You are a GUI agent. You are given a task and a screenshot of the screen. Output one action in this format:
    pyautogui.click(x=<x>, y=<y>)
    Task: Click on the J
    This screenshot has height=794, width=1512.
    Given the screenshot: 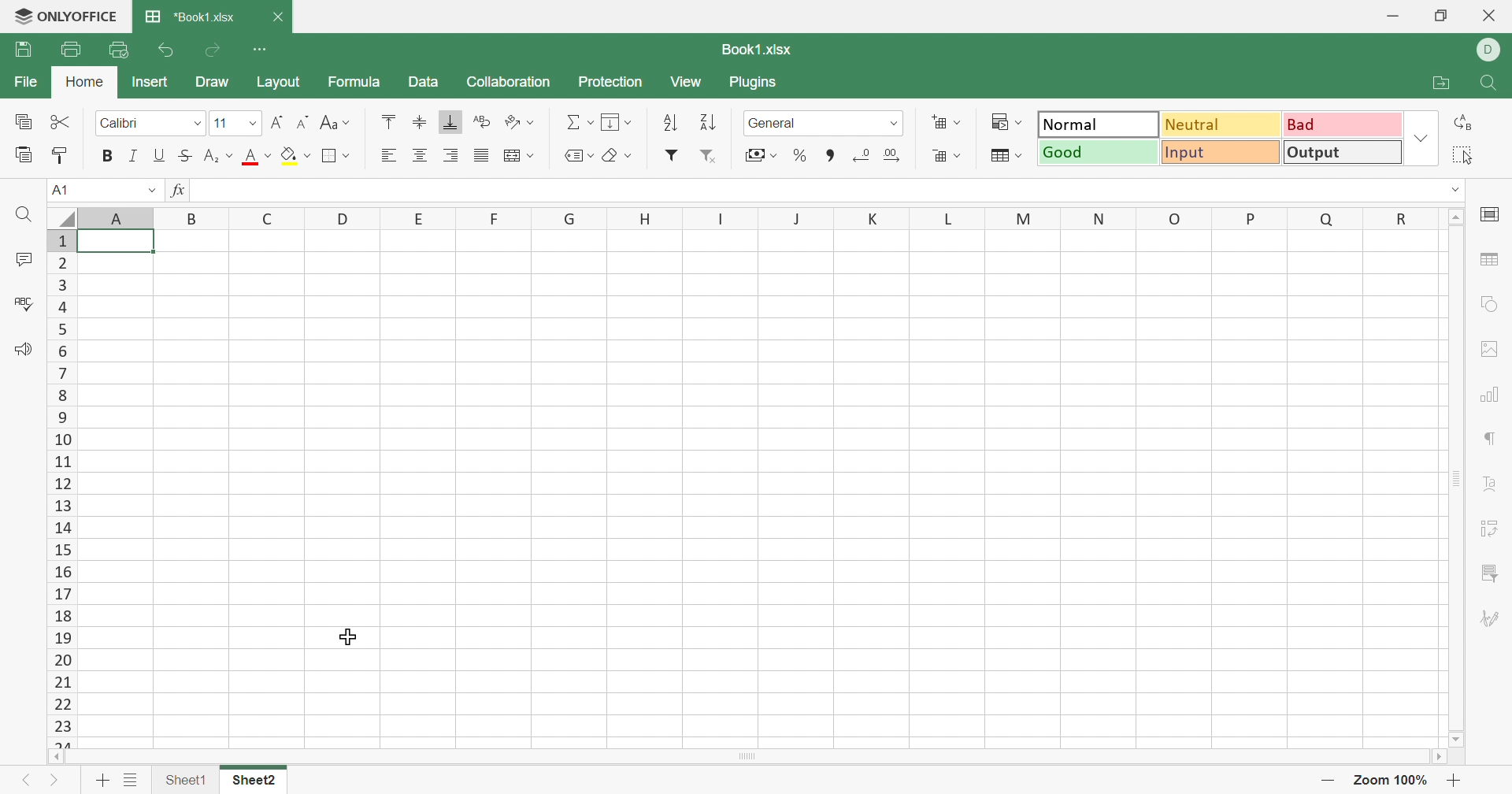 What is the action you would take?
    pyautogui.click(x=788, y=219)
    